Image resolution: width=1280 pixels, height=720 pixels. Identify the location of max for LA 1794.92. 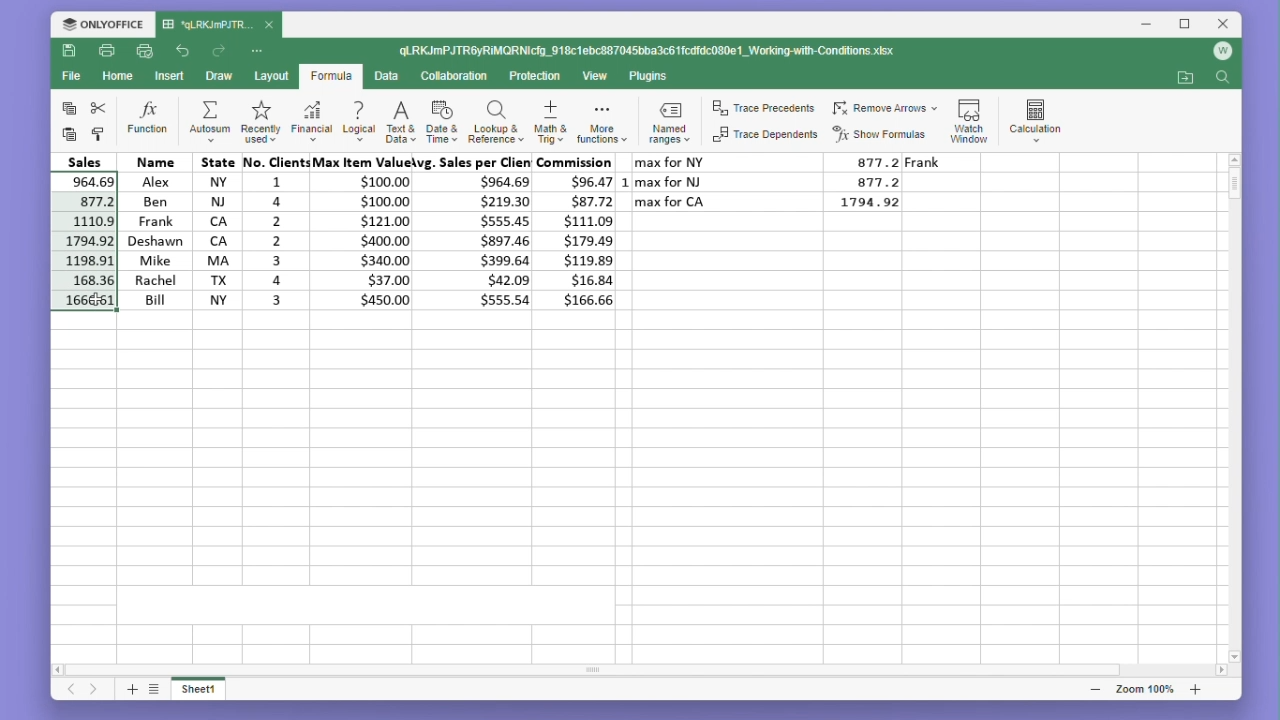
(777, 205).